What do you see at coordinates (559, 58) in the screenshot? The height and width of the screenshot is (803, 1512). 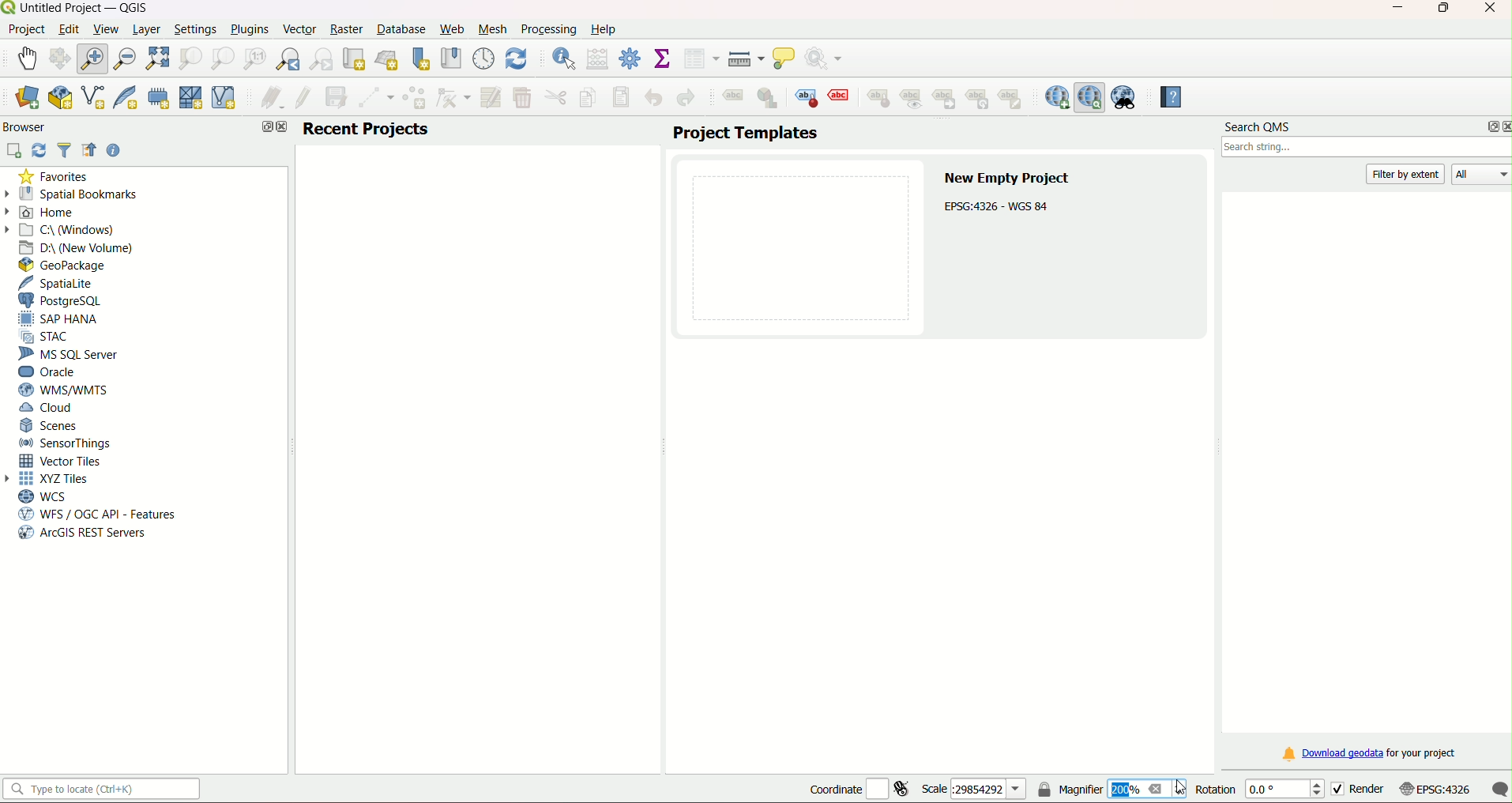 I see `identify features` at bounding box center [559, 58].